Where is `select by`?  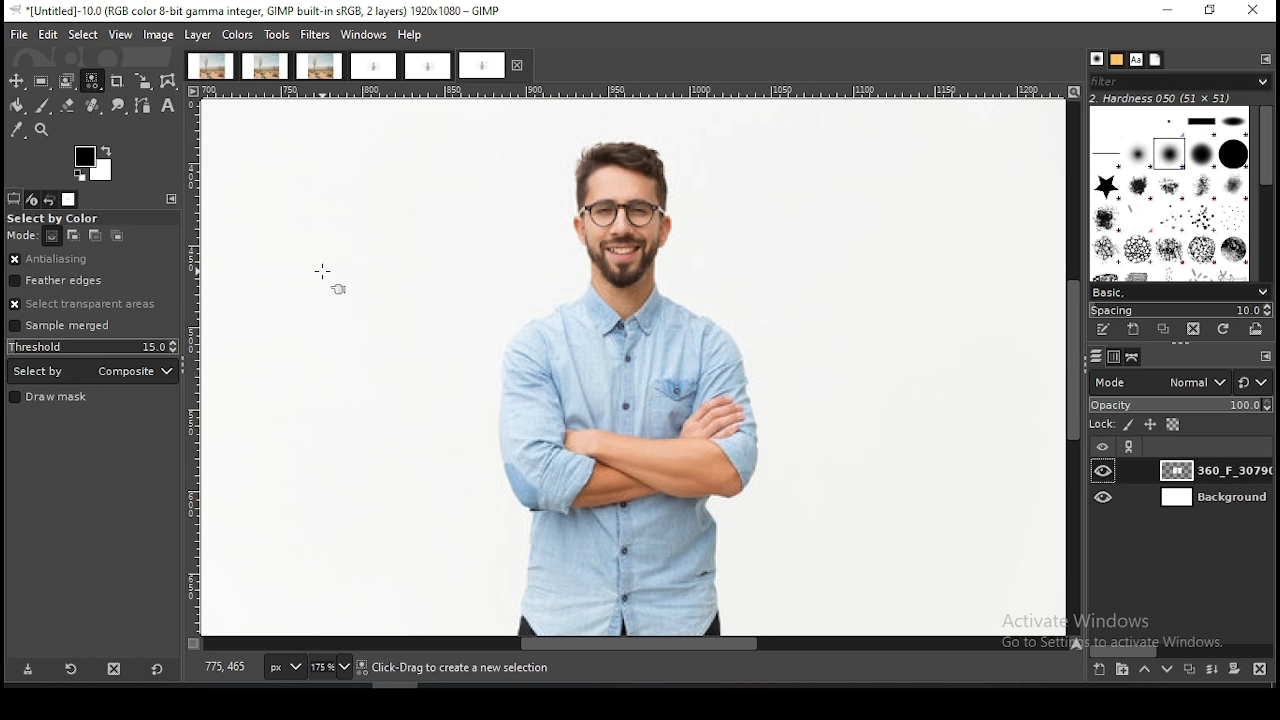
select by is located at coordinates (93, 371).